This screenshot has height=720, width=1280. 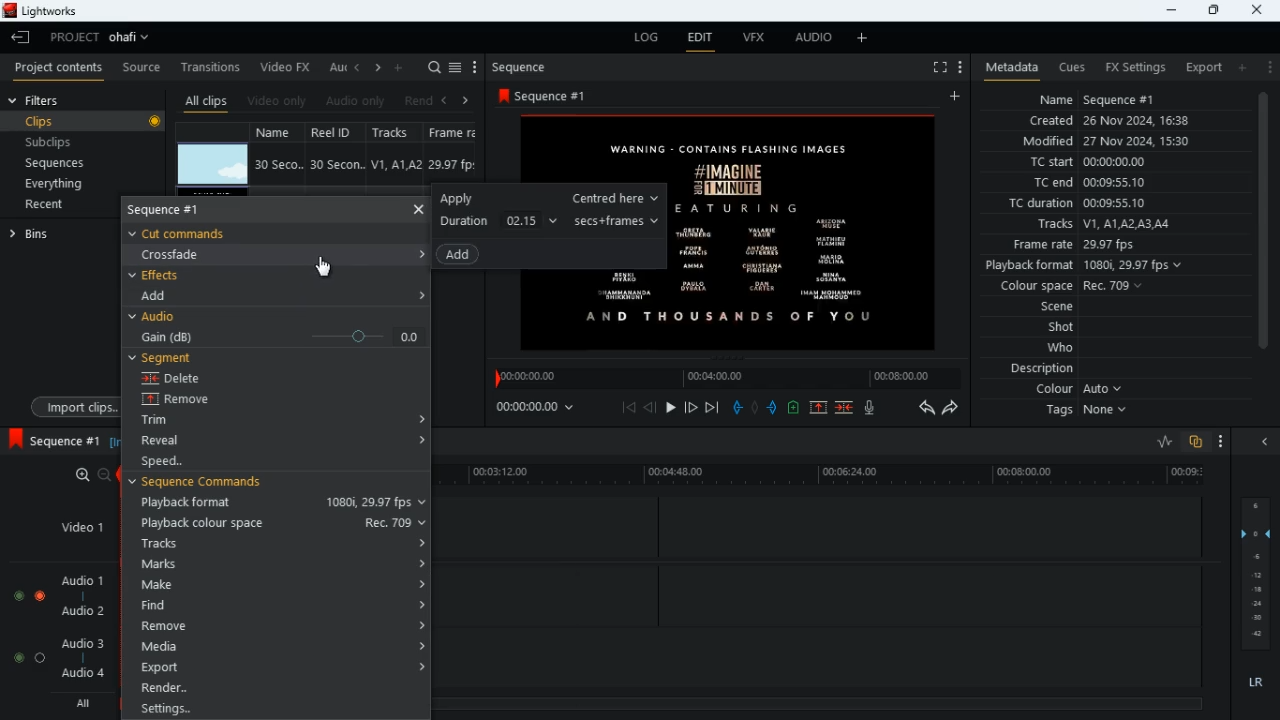 What do you see at coordinates (213, 165) in the screenshot?
I see `image` at bounding box center [213, 165].